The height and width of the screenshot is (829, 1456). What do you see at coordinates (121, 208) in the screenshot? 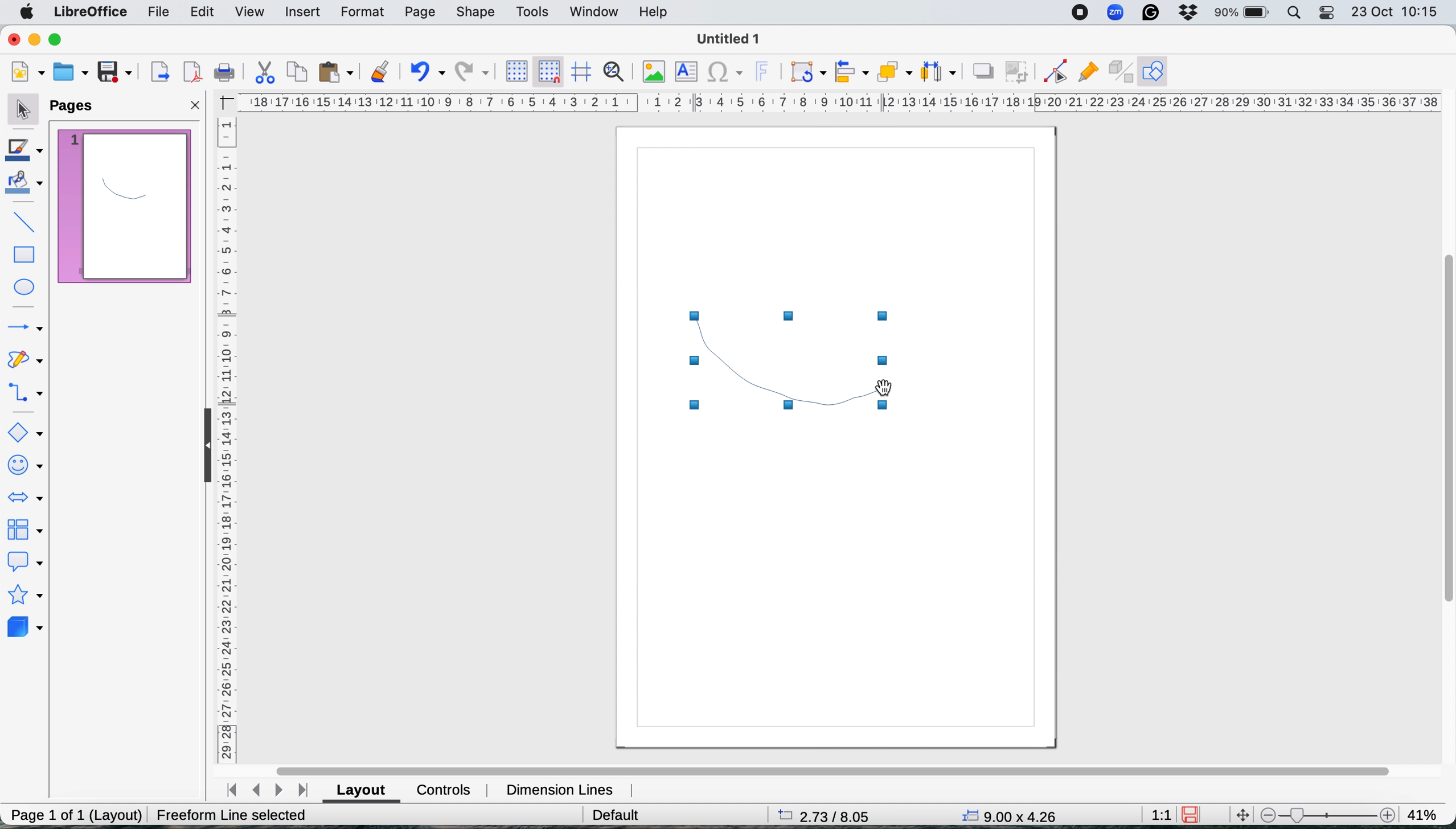
I see `current page` at bounding box center [121, 208].